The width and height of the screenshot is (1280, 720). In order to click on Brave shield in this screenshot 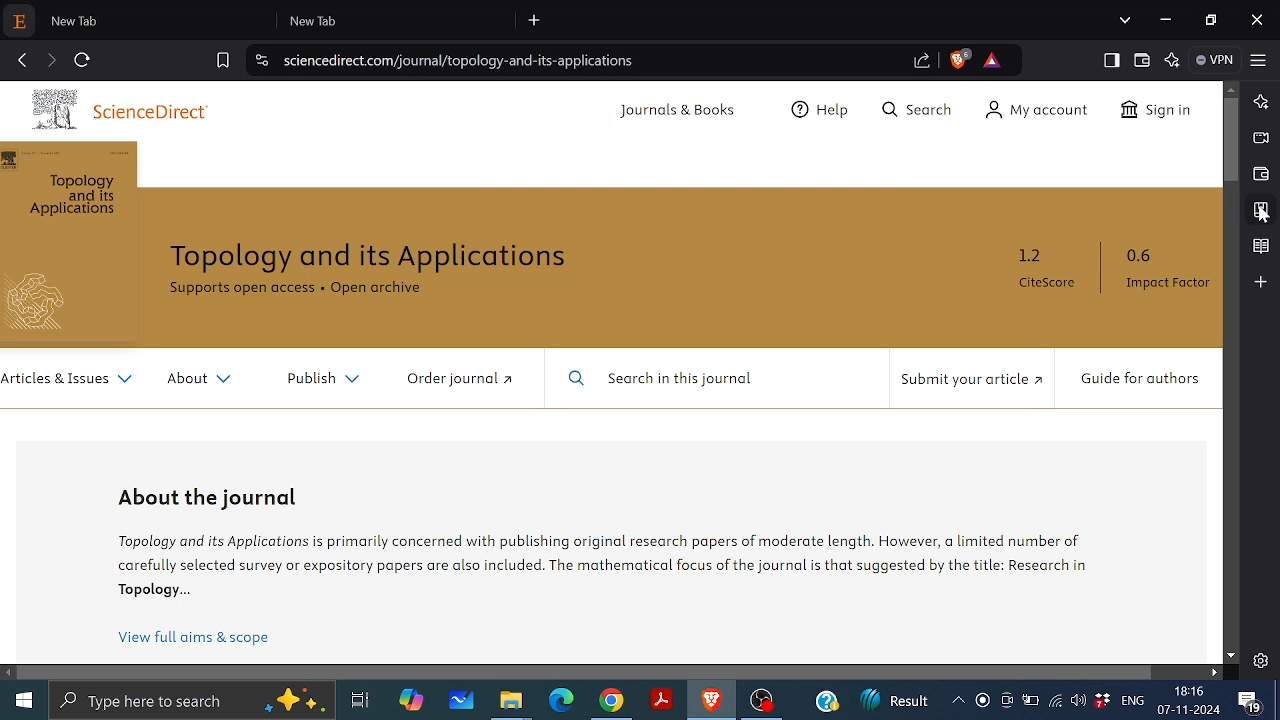, I will do `click(961, 60)`.